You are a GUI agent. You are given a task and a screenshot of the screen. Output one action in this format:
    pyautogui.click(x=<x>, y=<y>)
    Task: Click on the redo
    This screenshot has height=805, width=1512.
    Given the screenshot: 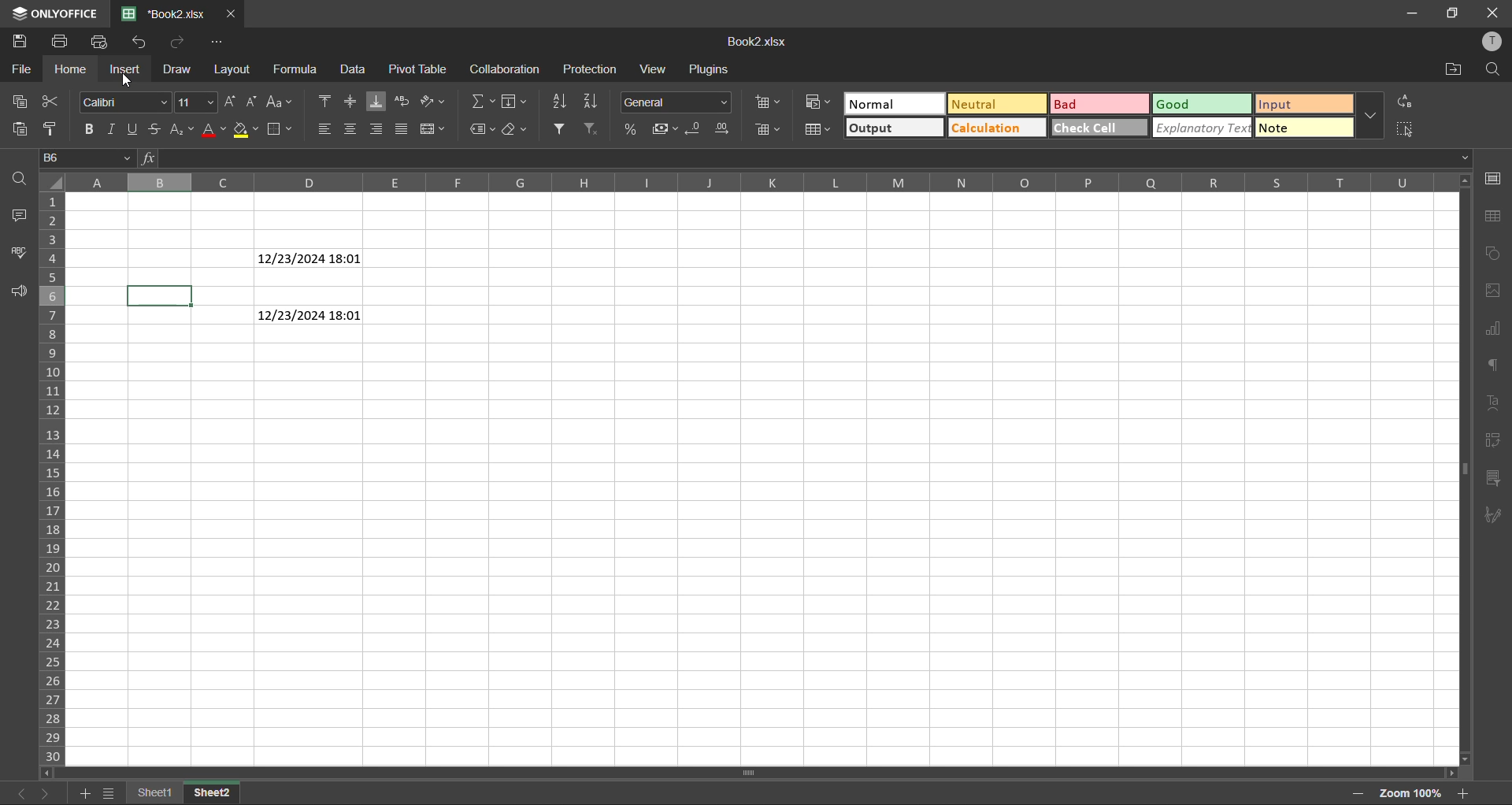 What is the action you would take?
    pyautogui.click(x=142, y=43)
    